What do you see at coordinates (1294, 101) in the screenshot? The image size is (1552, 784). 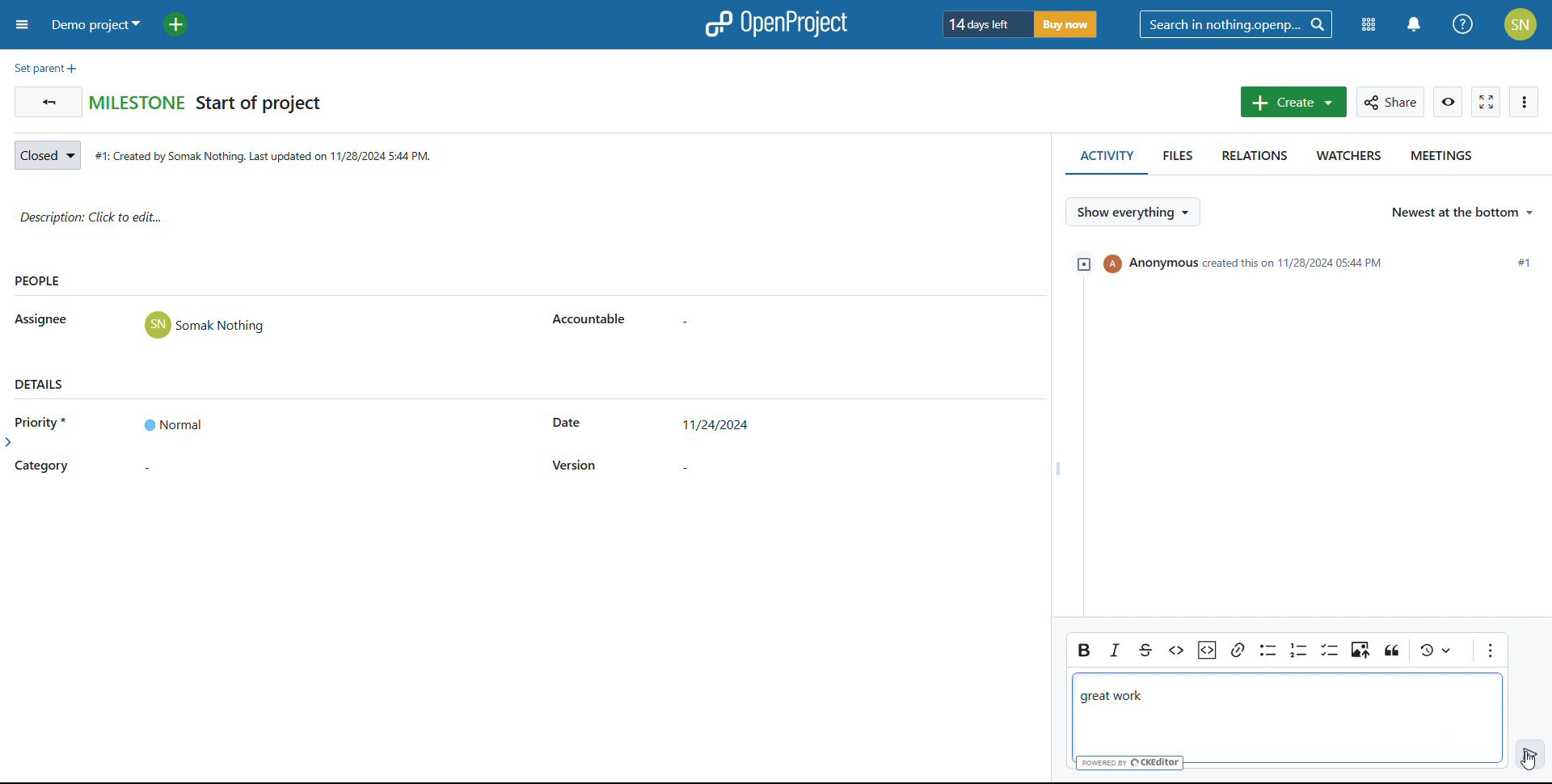 I see `create` at bounding box center [1294, 101].